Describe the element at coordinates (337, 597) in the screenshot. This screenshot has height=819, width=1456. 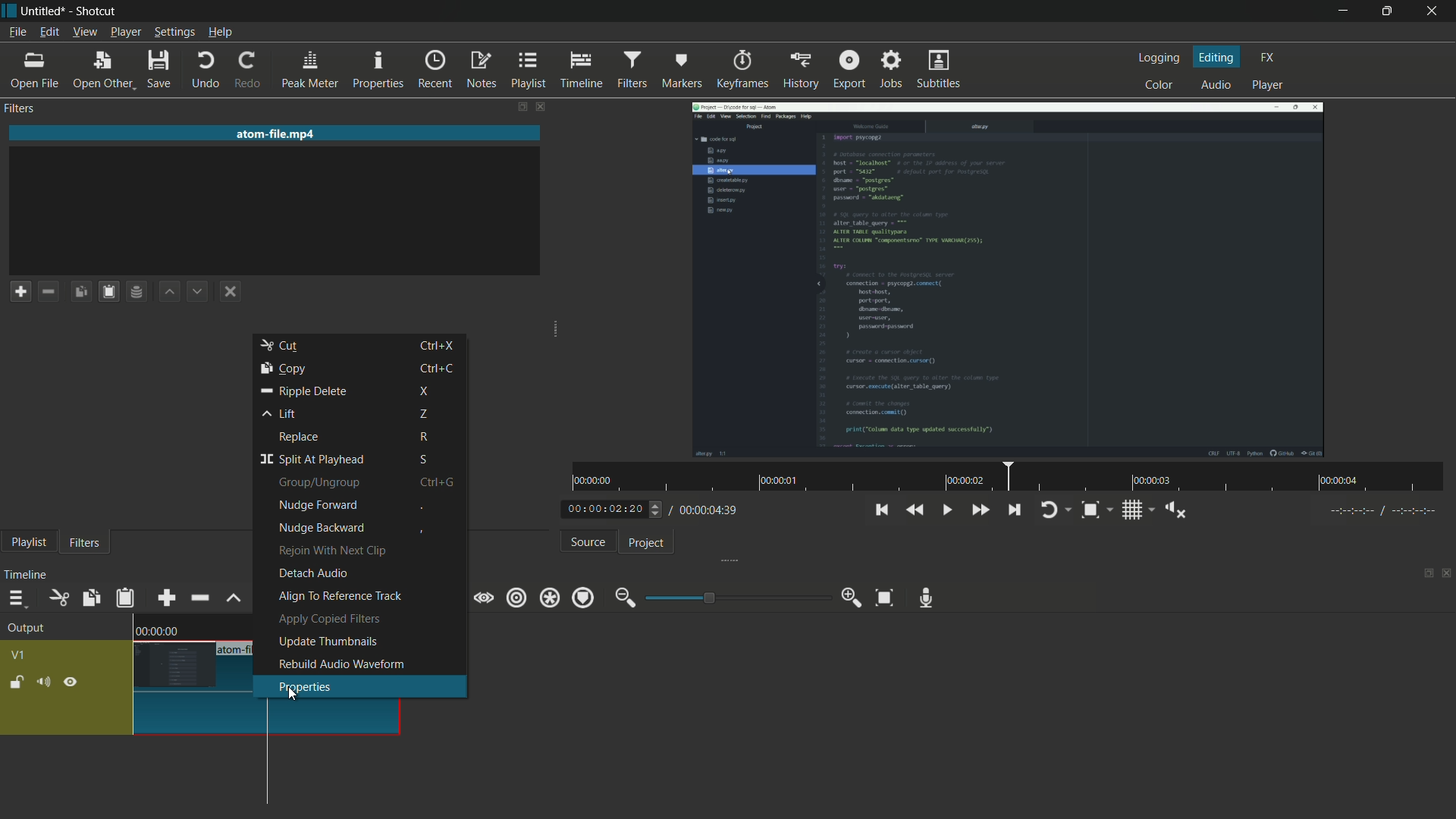
I see `align to reference track` at that location.